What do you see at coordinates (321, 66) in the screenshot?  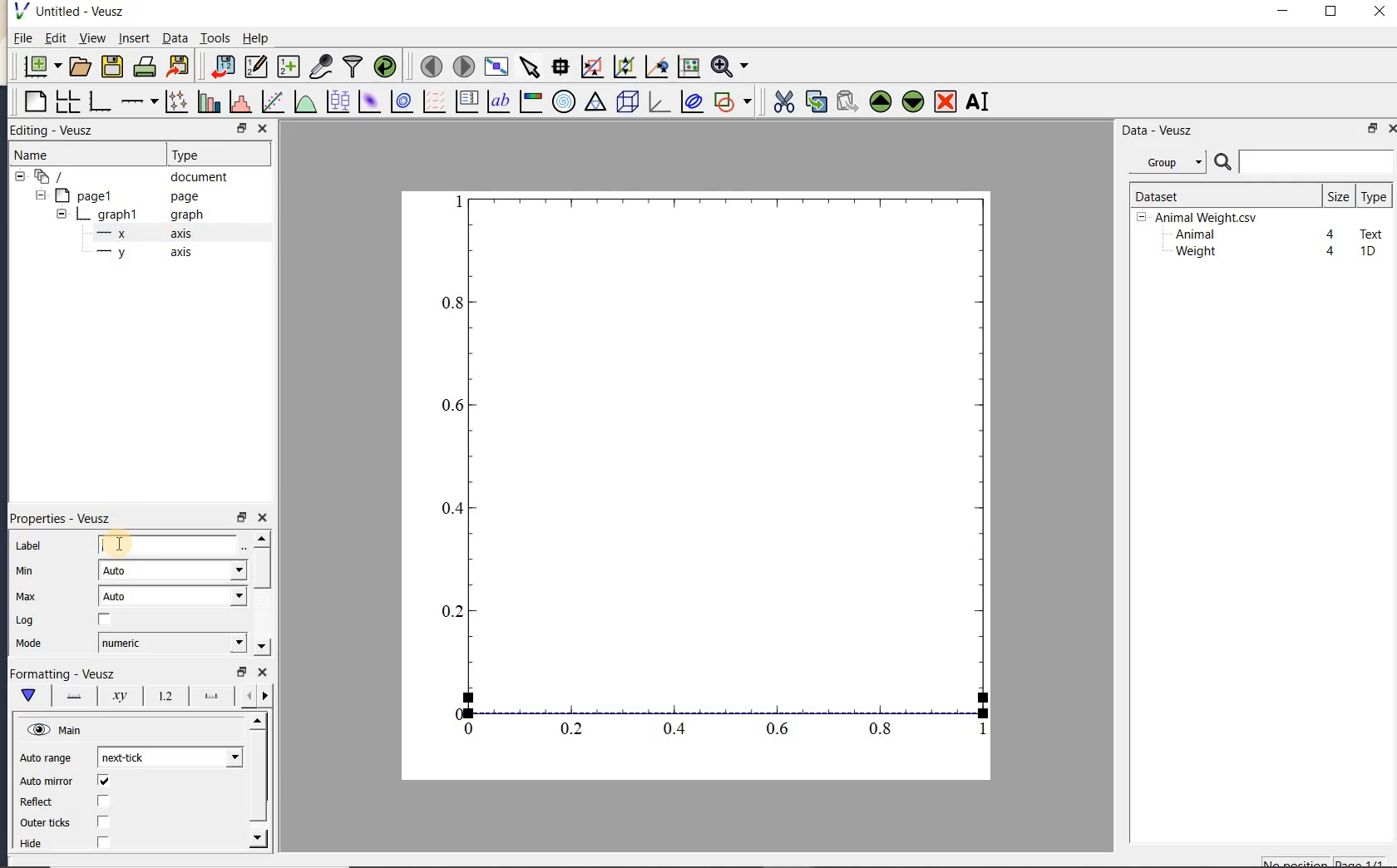 I see `capture remote data` at bounding box center [321, 66].